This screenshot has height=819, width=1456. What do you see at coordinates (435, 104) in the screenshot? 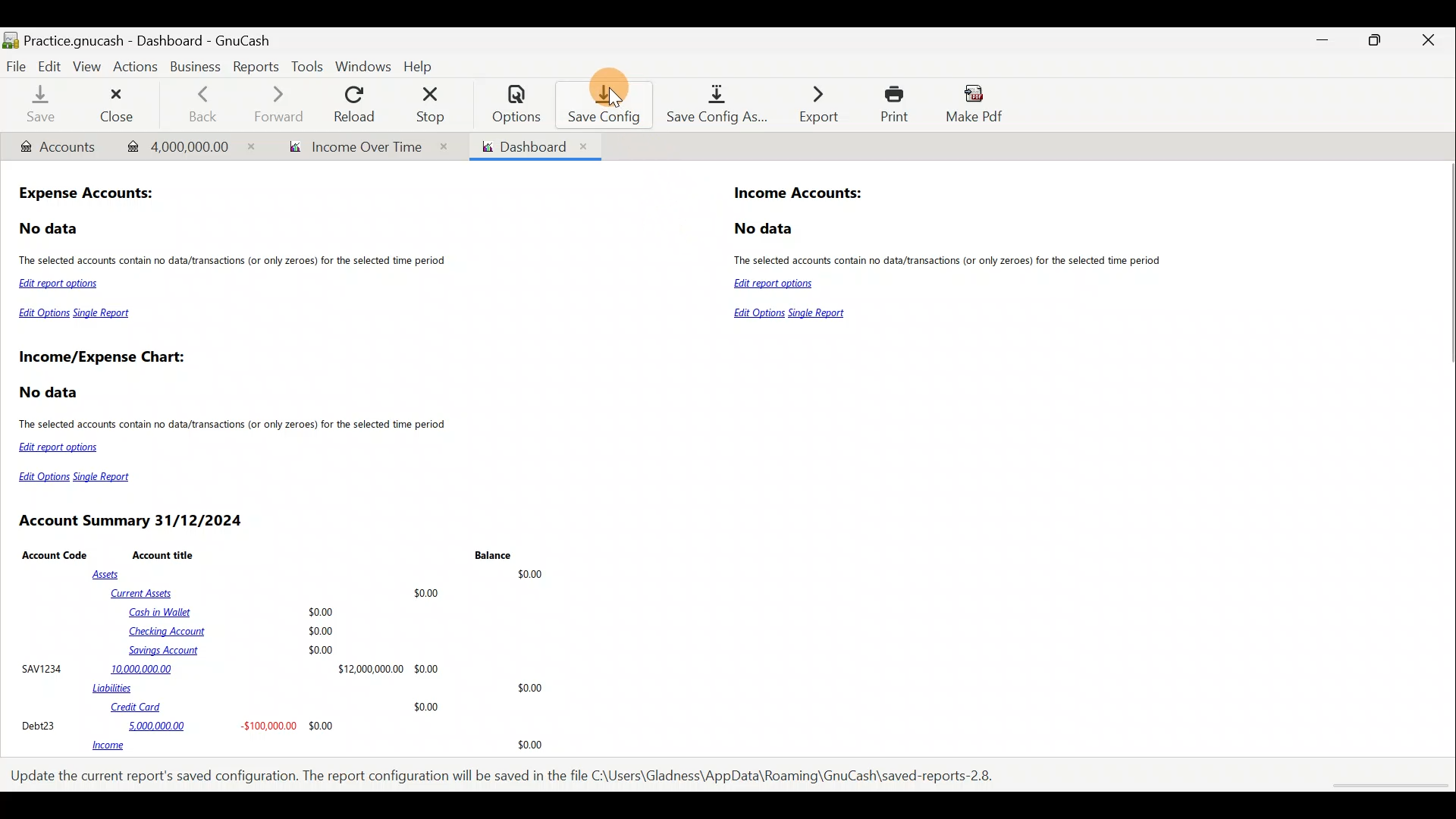
I see `Stop` at bounding box center [435, 104].